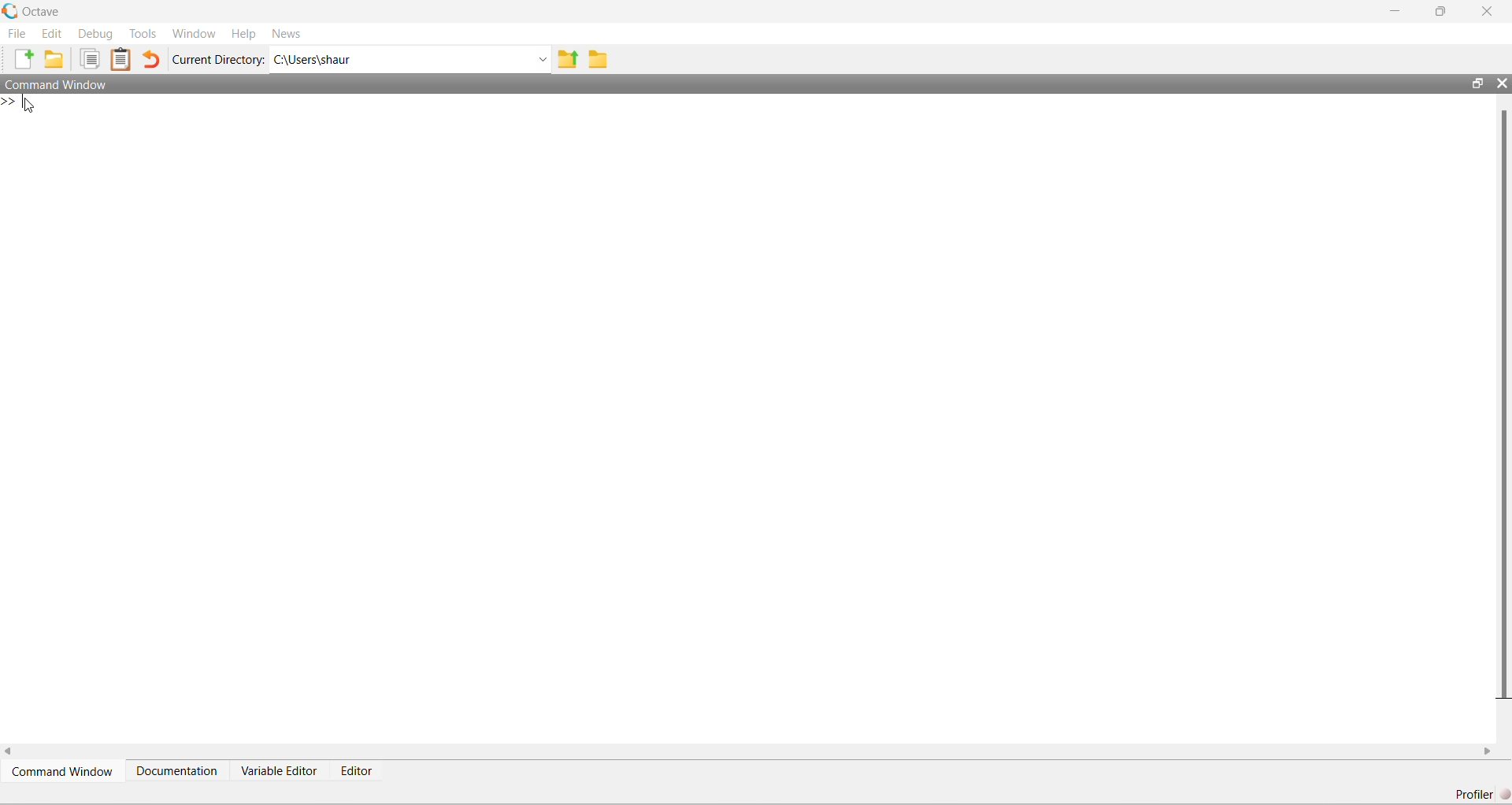 The height and width of the screenshot is (805, 1512). I want to click on new line, so click(13, 102).